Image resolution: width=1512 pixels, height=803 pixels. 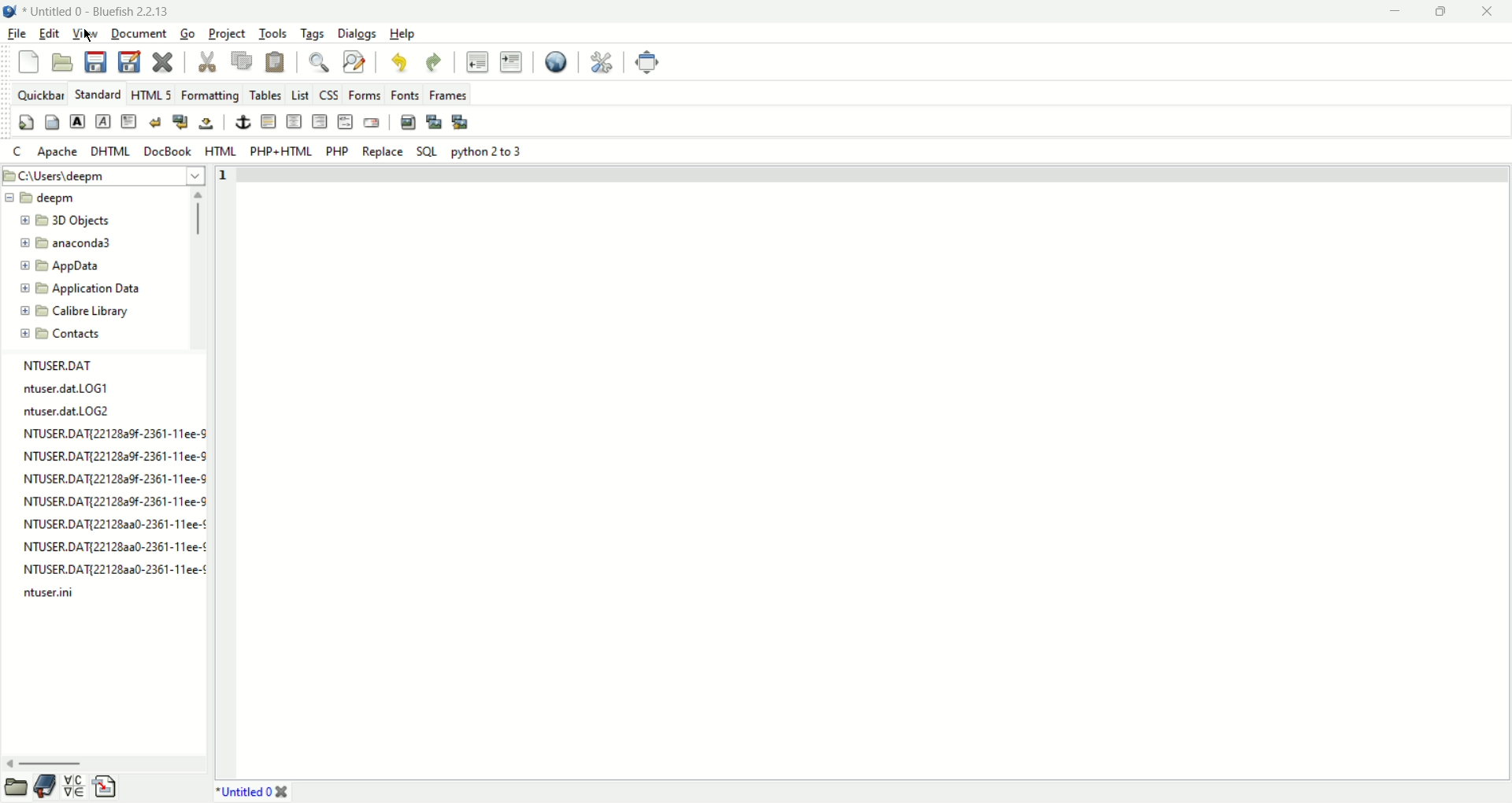 What do you see at coordinates (511, 61) in the screenshot?
I see `indent` at bounding box center [511, 61].